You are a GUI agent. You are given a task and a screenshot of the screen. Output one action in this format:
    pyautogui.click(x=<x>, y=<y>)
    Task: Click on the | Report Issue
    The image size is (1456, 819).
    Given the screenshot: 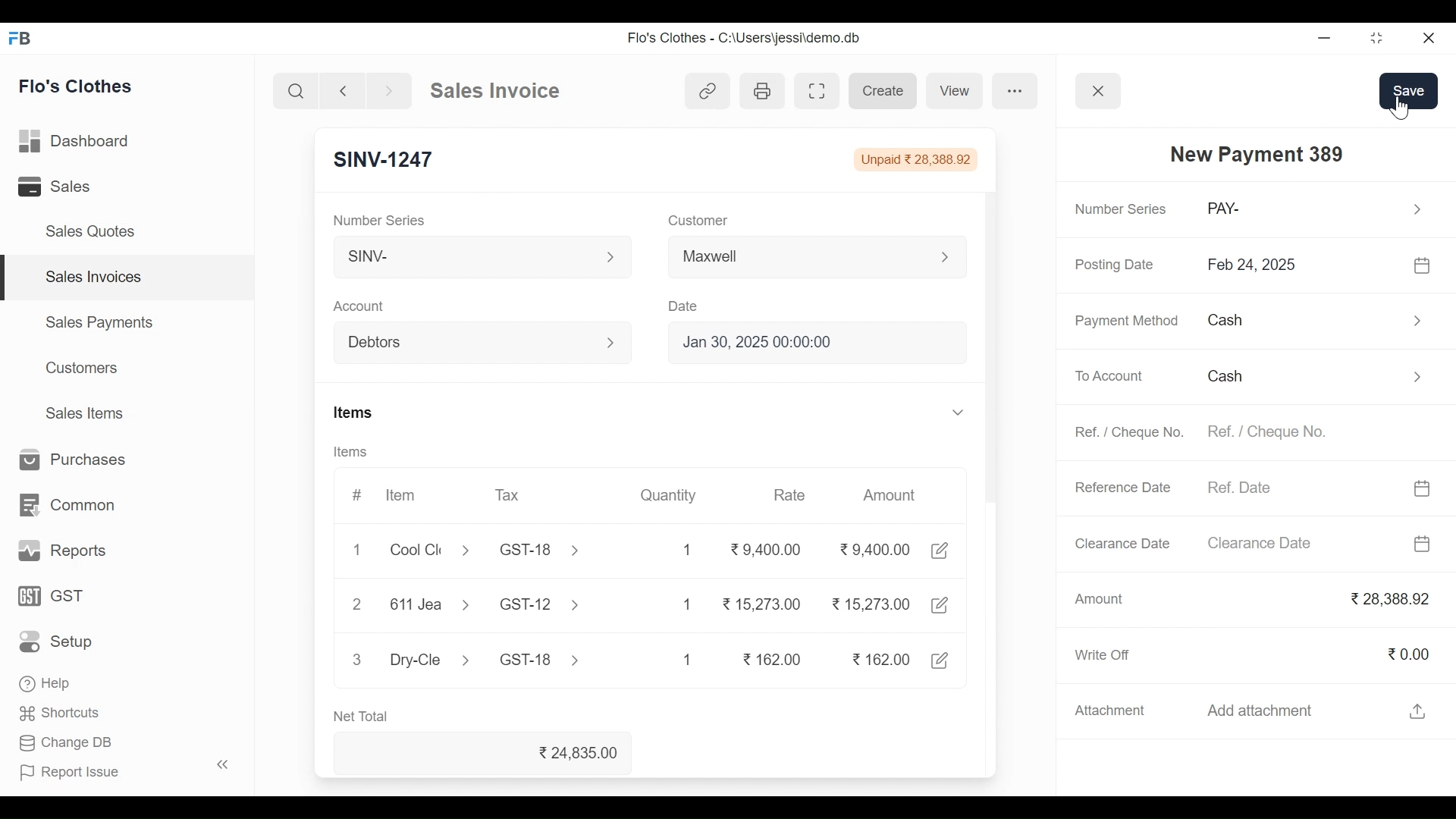 What is the action you would take?
    pyautogui.click(x=126, y=770)
    